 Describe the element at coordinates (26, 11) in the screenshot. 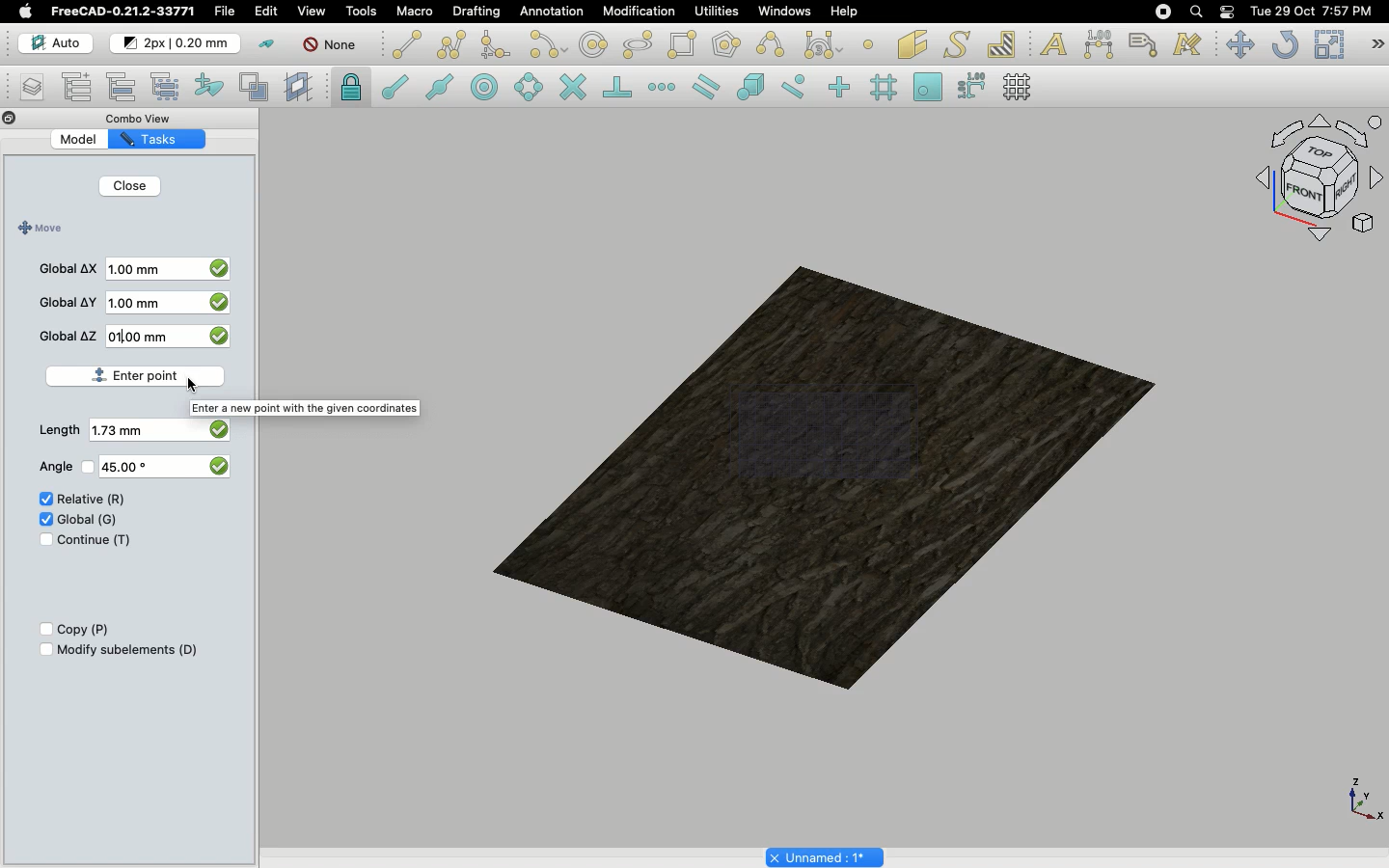

I see `Apple log` at that location.